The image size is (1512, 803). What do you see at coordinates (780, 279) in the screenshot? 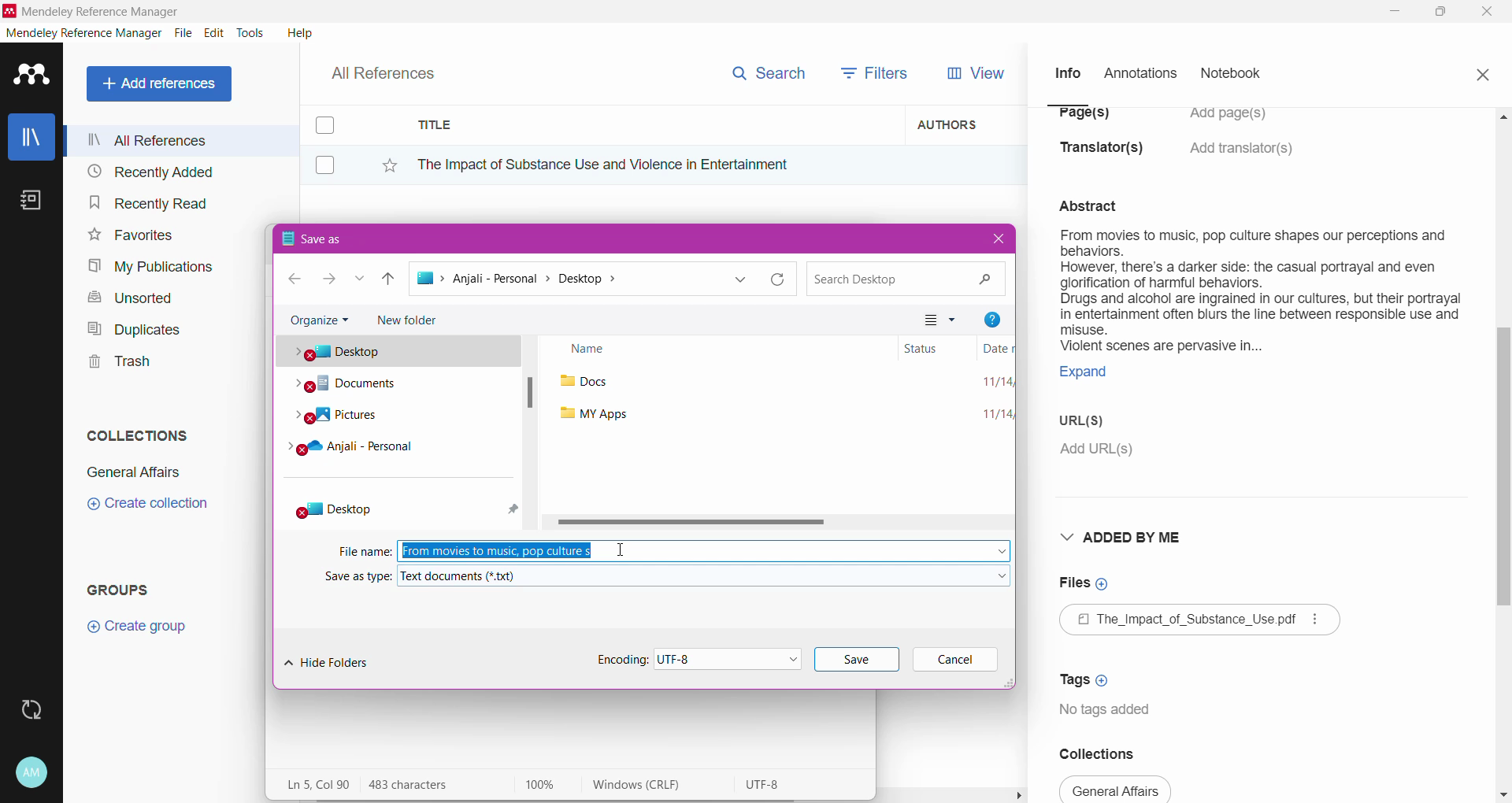
I see `Reload current folder` at bounding box center [780, 279].